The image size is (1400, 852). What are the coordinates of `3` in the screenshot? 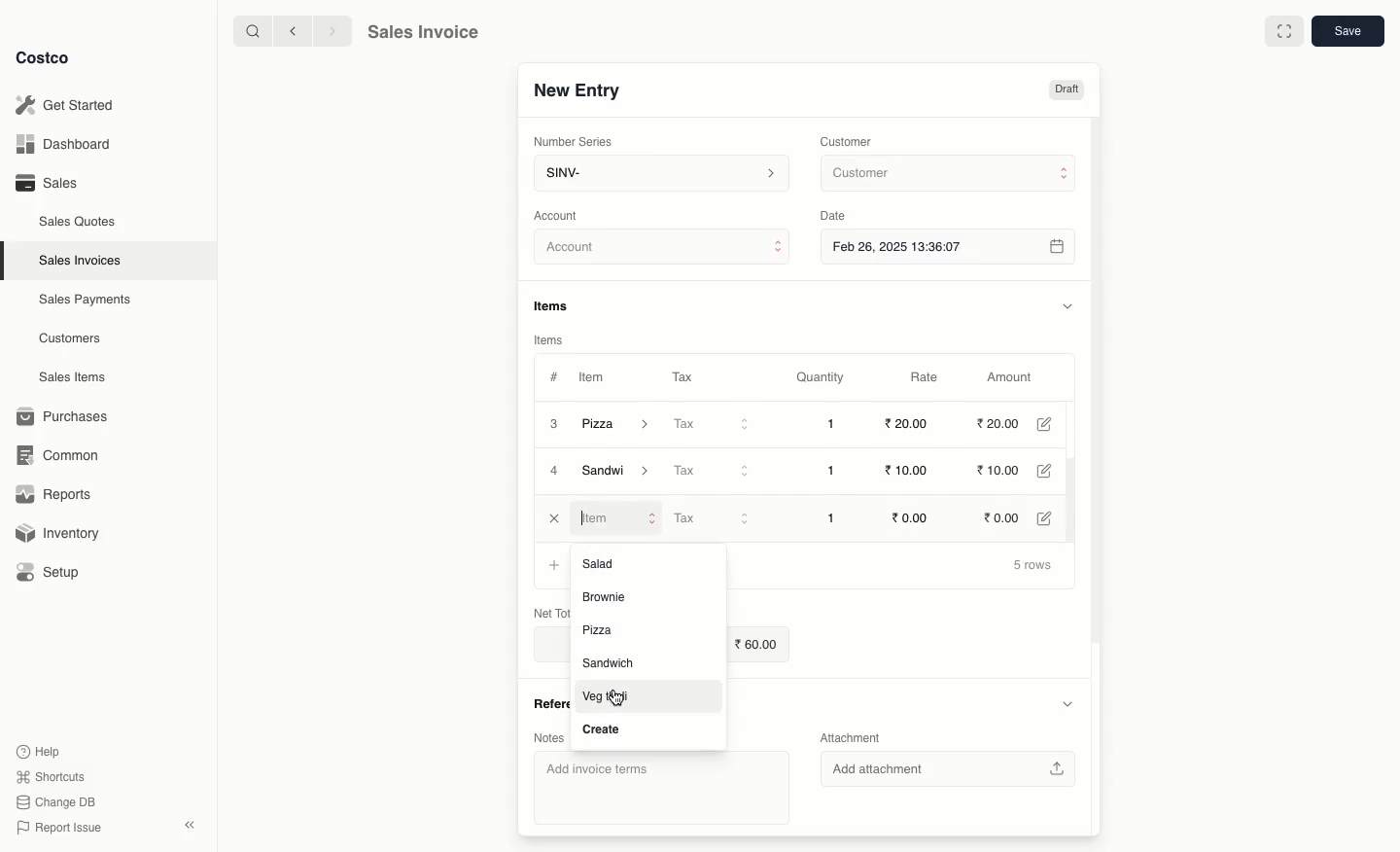 It's located at (552, 423).